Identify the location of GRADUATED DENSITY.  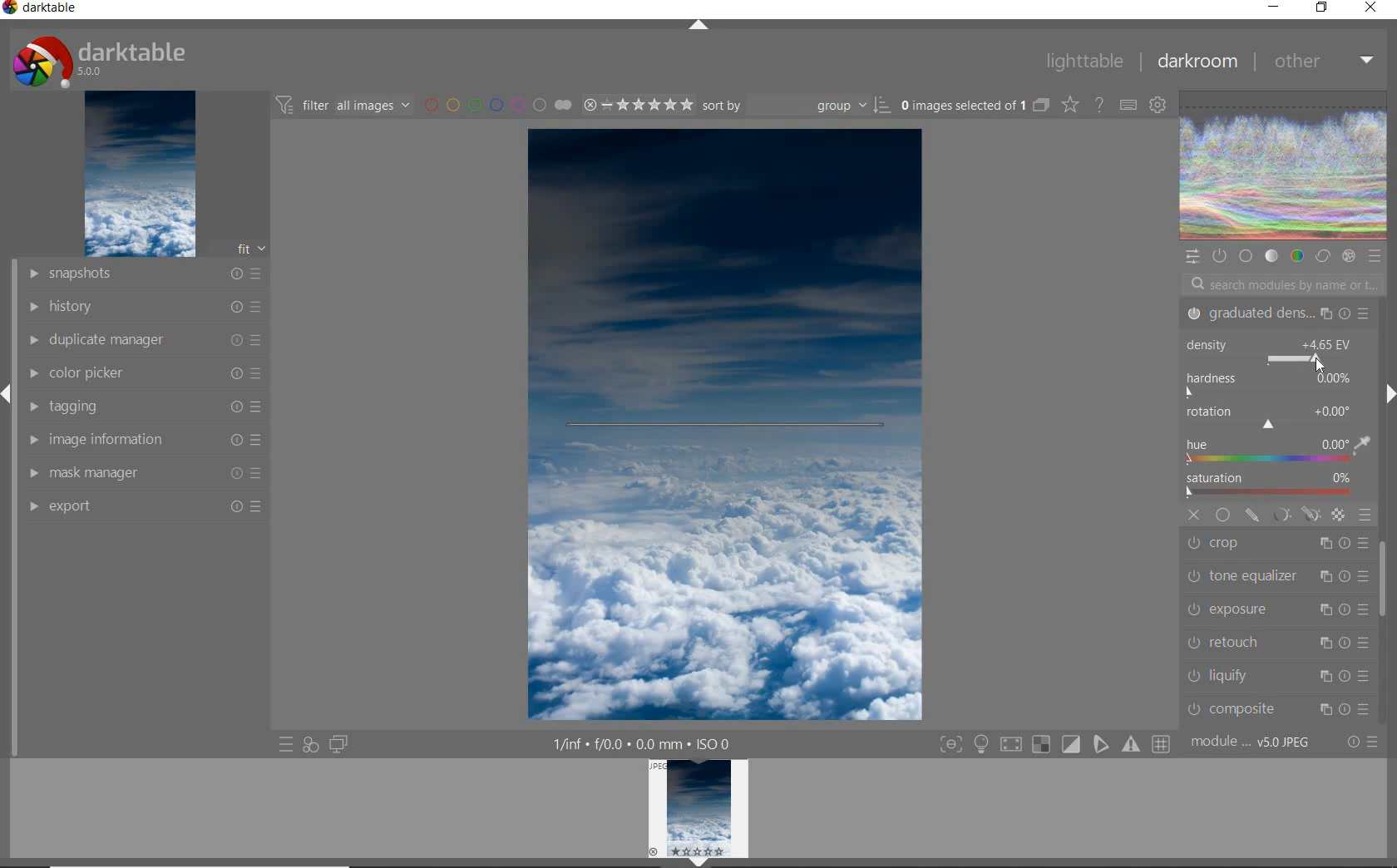
(1276, 314).